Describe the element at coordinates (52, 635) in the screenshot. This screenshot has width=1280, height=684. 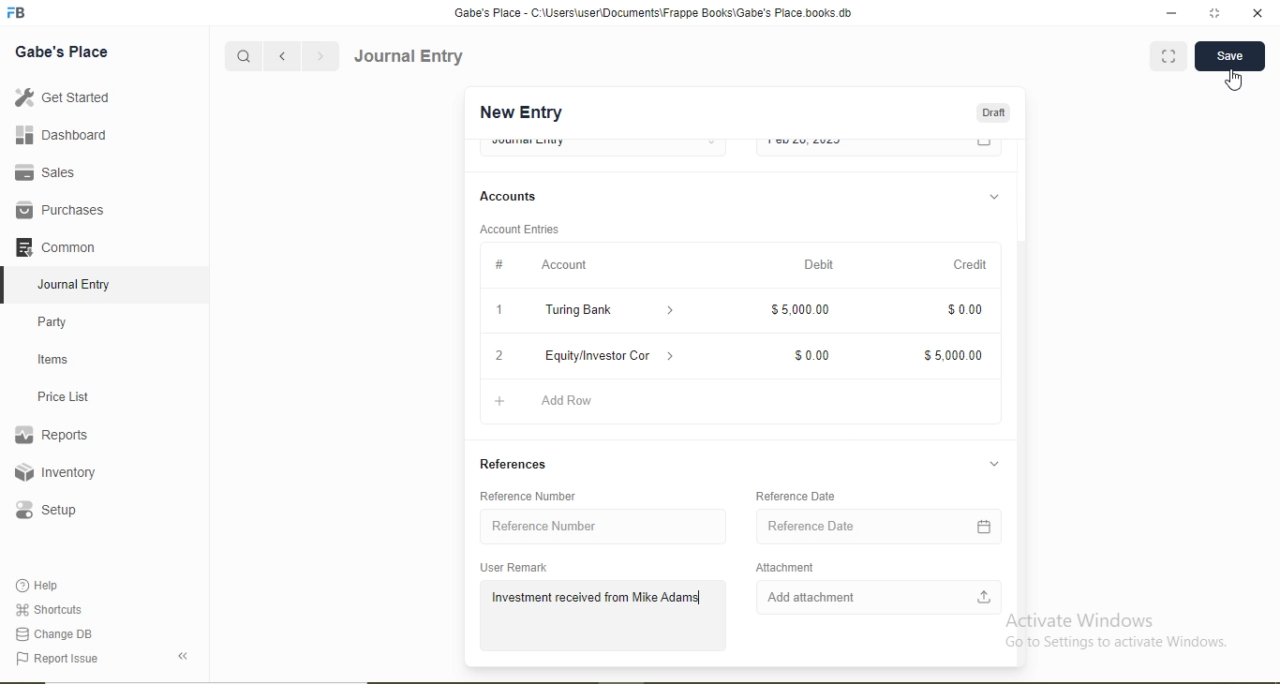
I see `Change DB` at that location.